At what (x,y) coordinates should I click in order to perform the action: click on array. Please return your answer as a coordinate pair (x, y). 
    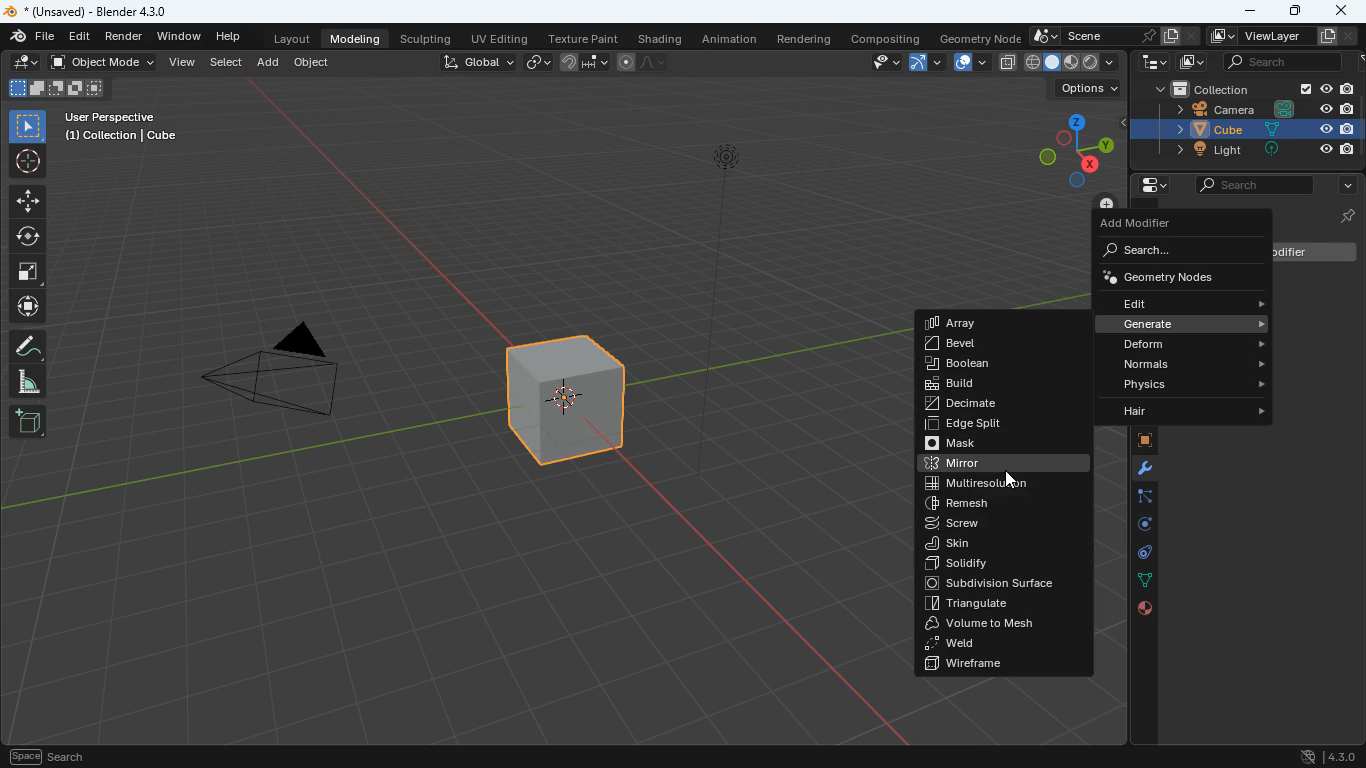
    Looking at the image, I should click on (976, 323).